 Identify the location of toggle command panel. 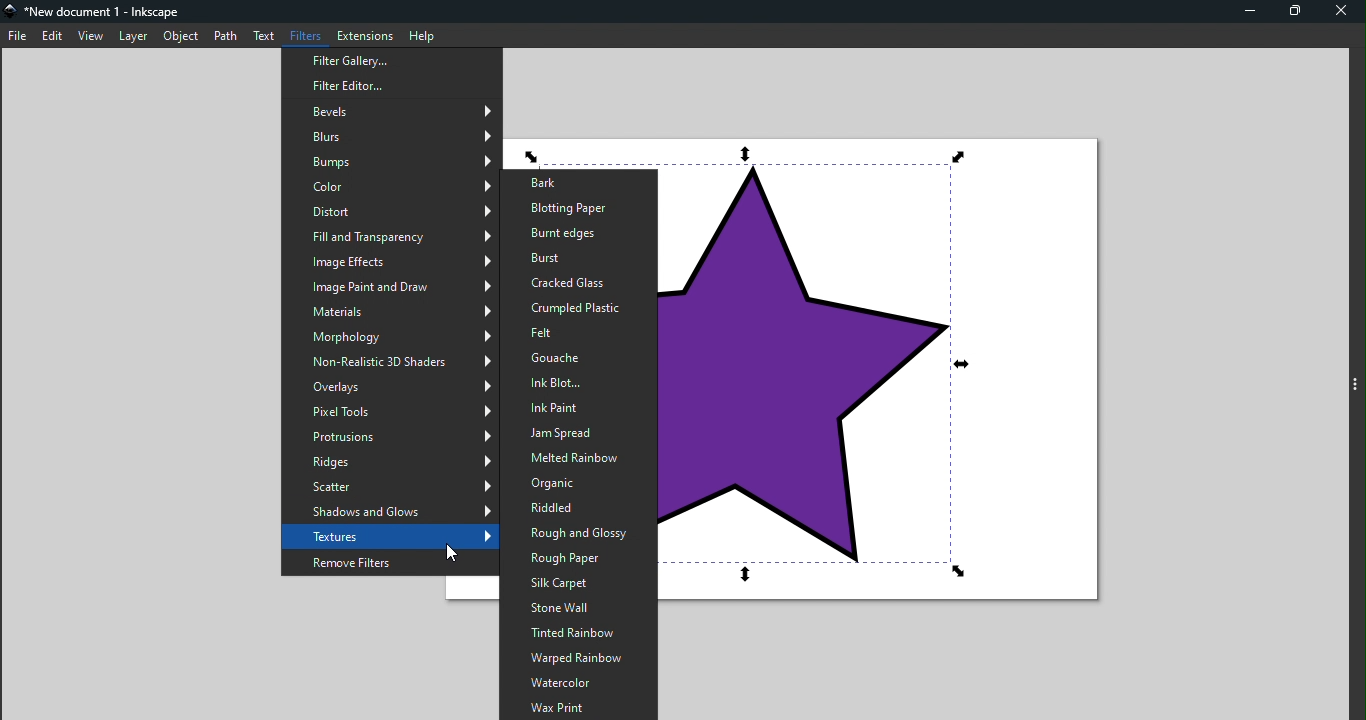
(1354, 384).